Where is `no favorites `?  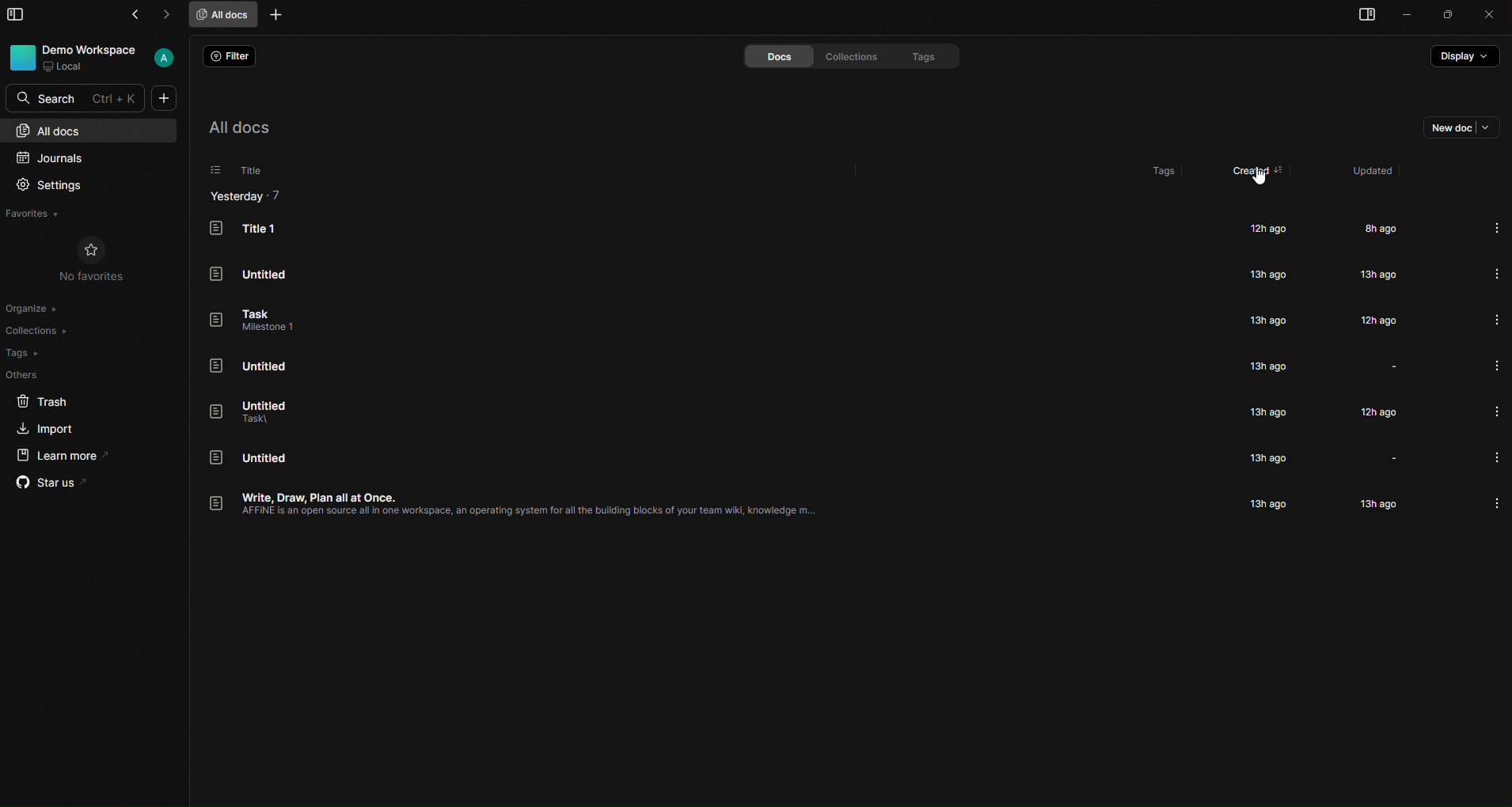
no favorites  is located at coordinates (99, 260).